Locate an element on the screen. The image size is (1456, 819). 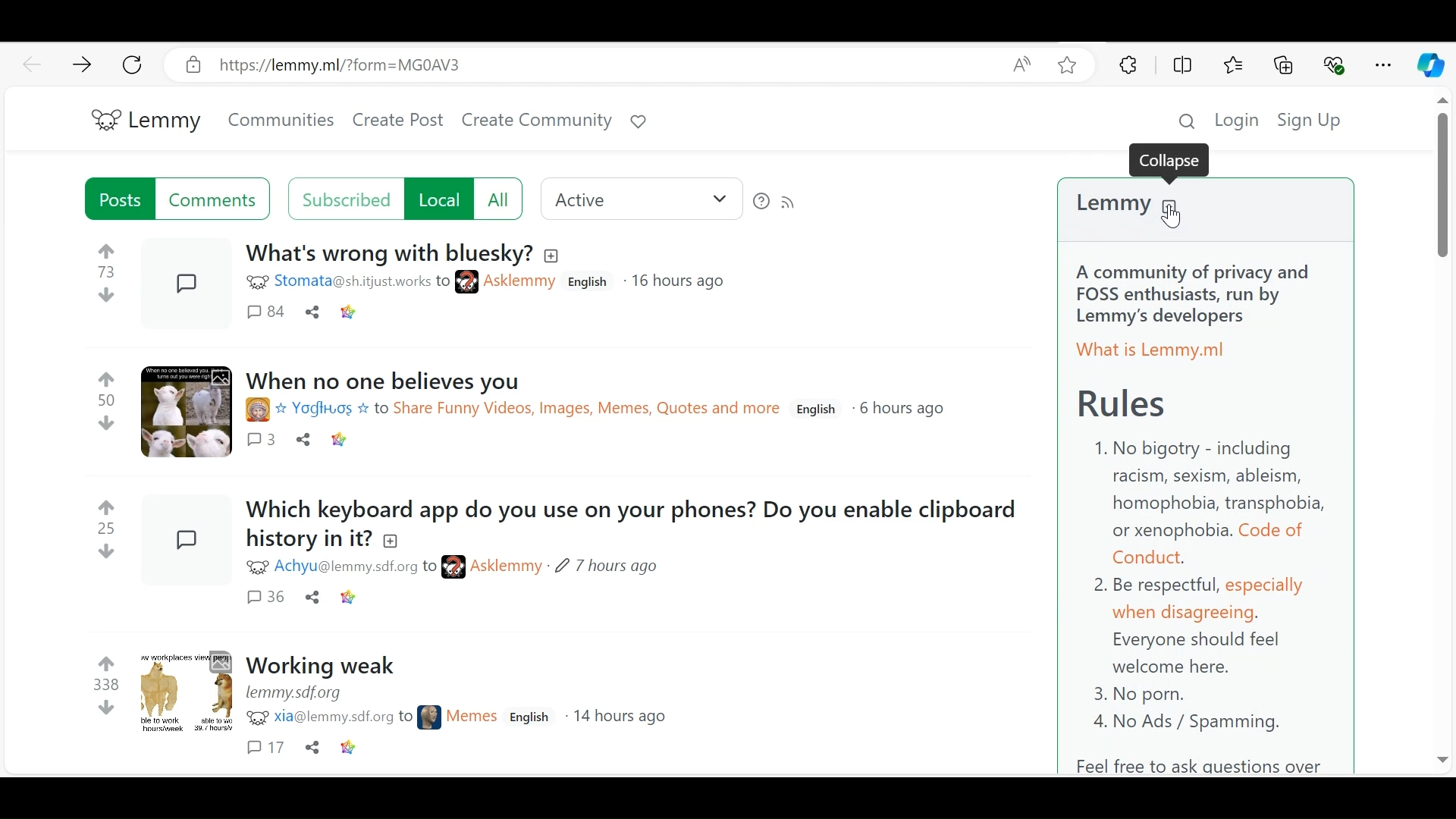
Upvotes is located at coordinates (107, 378).